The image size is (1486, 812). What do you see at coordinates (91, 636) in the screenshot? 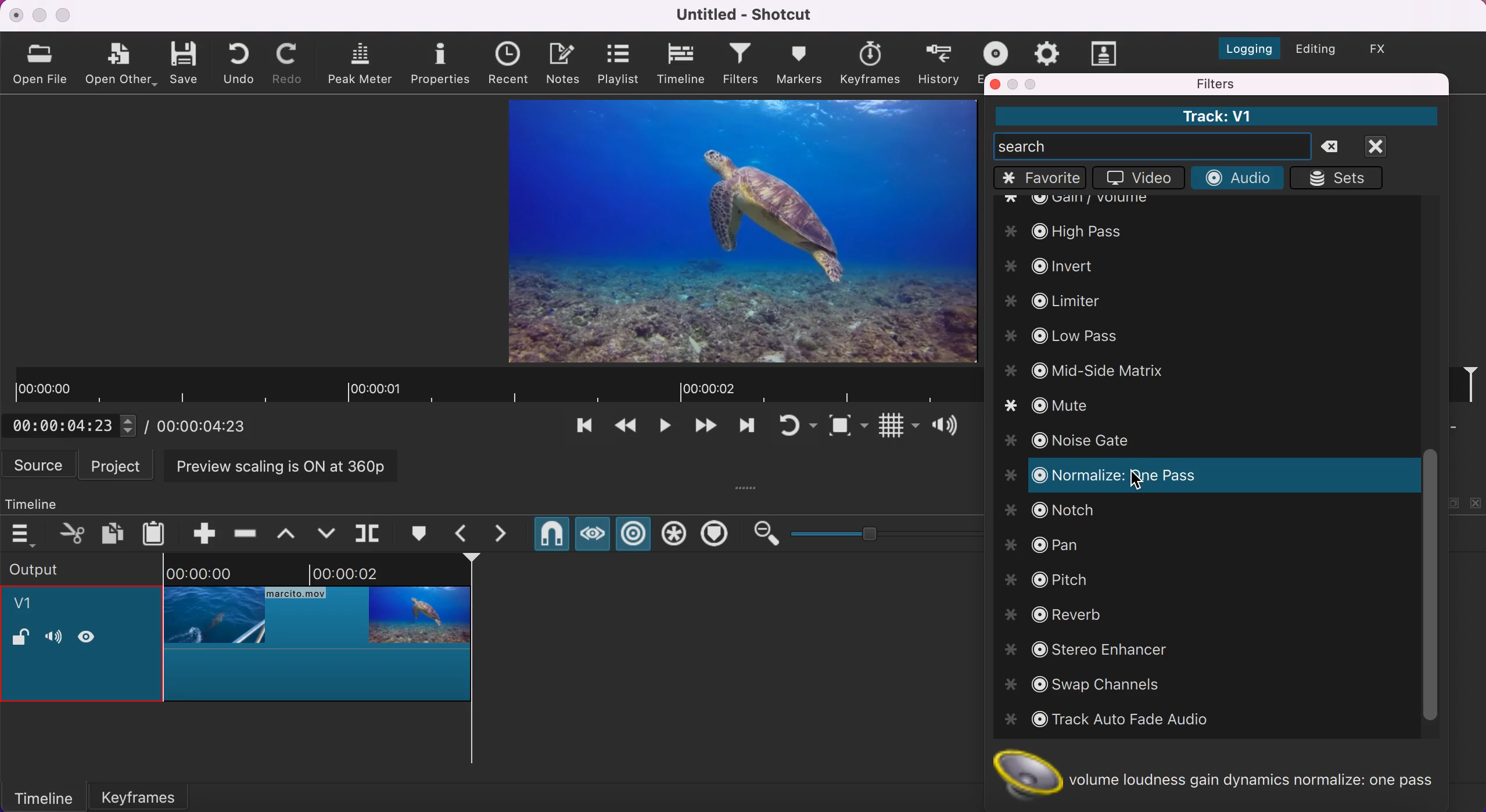
I see `hide` at bounding box center [91, 636].